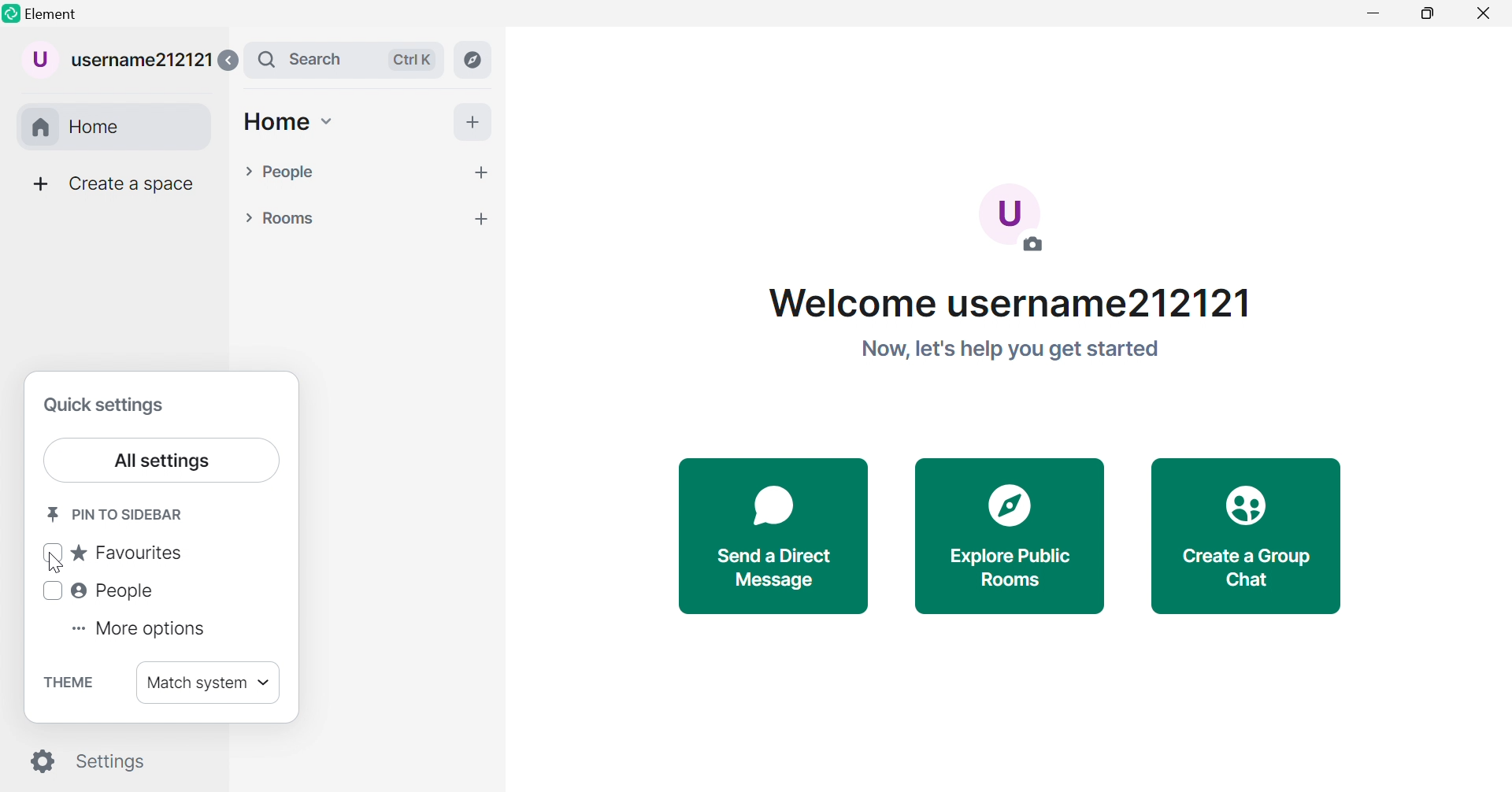 The width and height of the screenshot is (1512, 792). Describe the element at coordinates (472, 121) in the screenshot. I see `More` at that location.